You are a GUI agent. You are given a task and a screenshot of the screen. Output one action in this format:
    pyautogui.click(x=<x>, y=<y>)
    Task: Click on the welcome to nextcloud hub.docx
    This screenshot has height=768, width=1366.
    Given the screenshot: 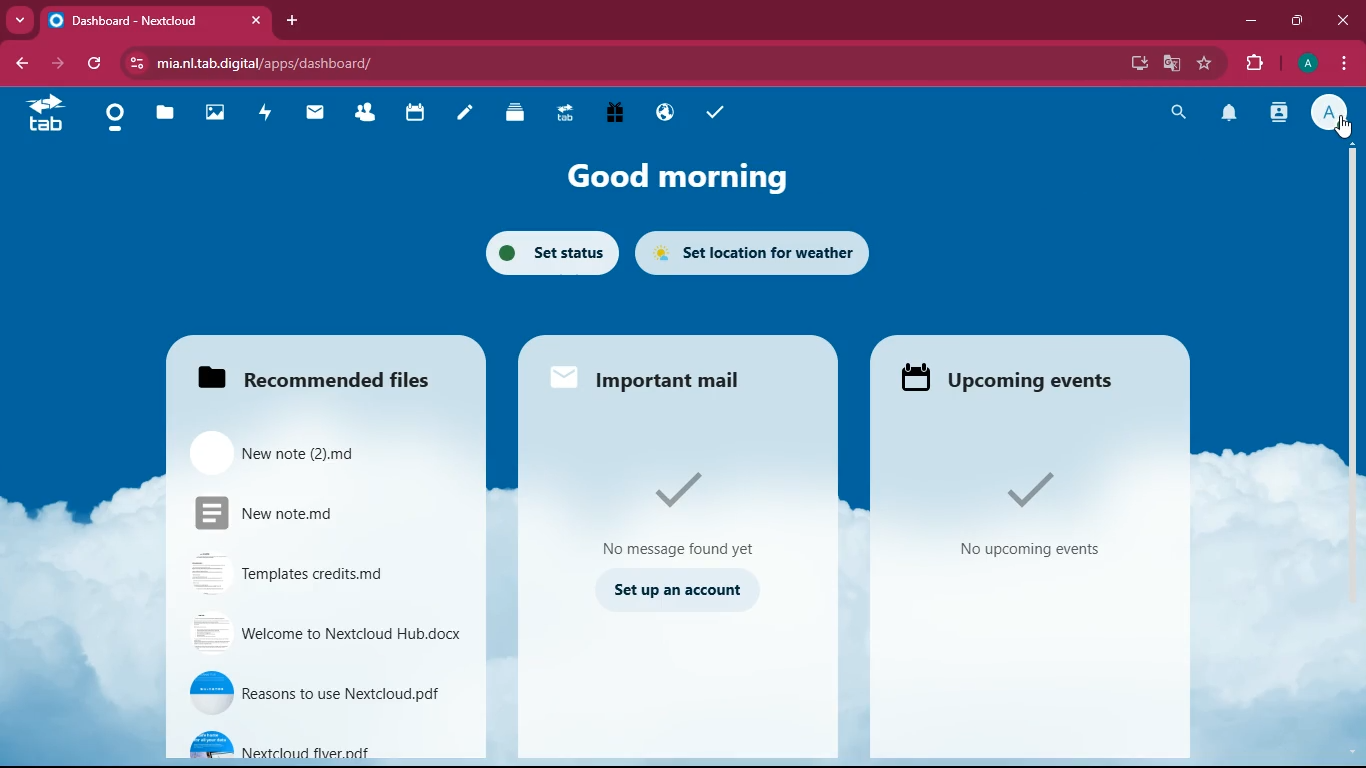 What is the action you would take?
    pyautogui.click(x=320, y=636)
    